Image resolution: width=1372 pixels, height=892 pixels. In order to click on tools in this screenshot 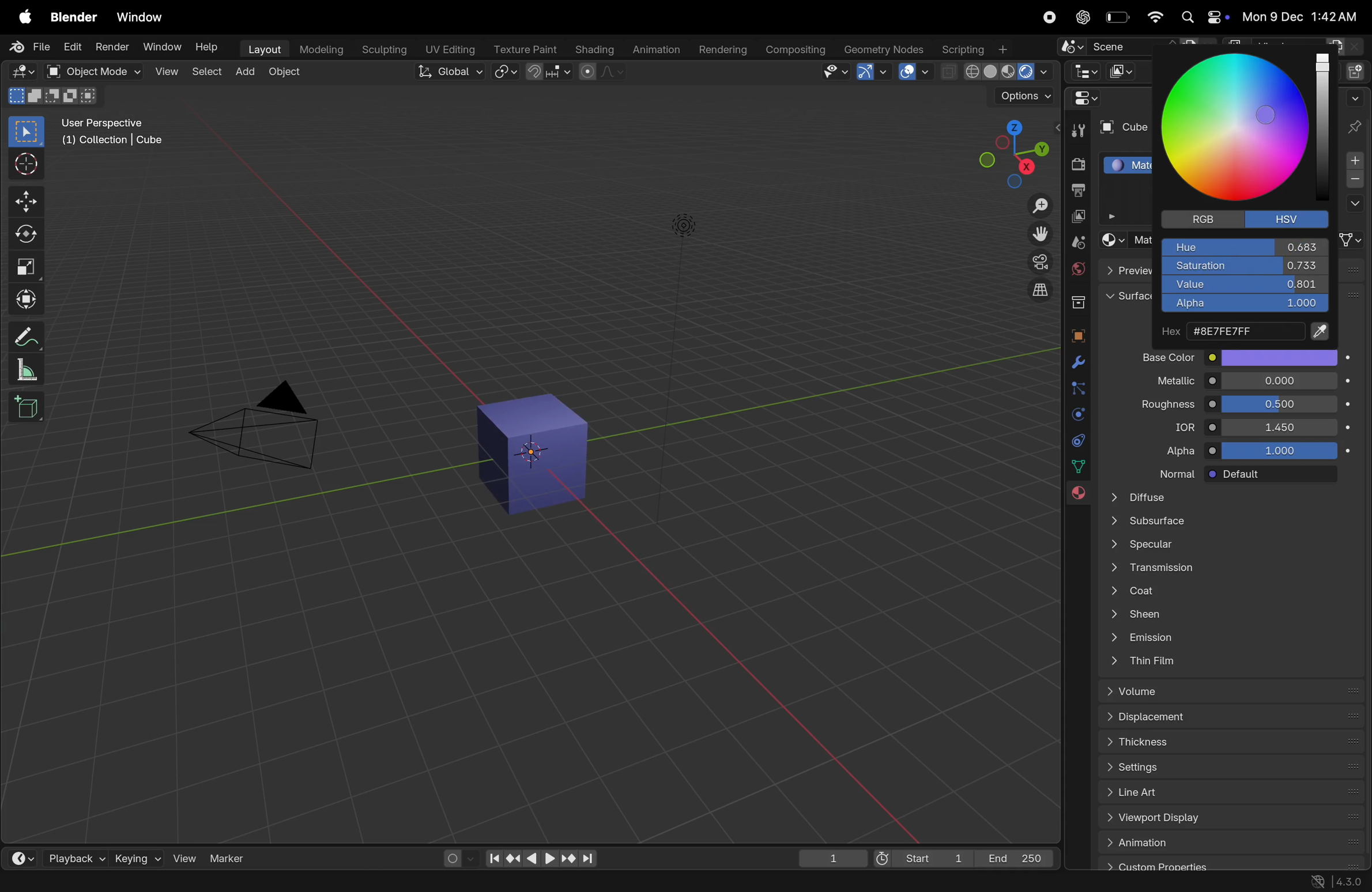, I will do `click(1077, 129)`.